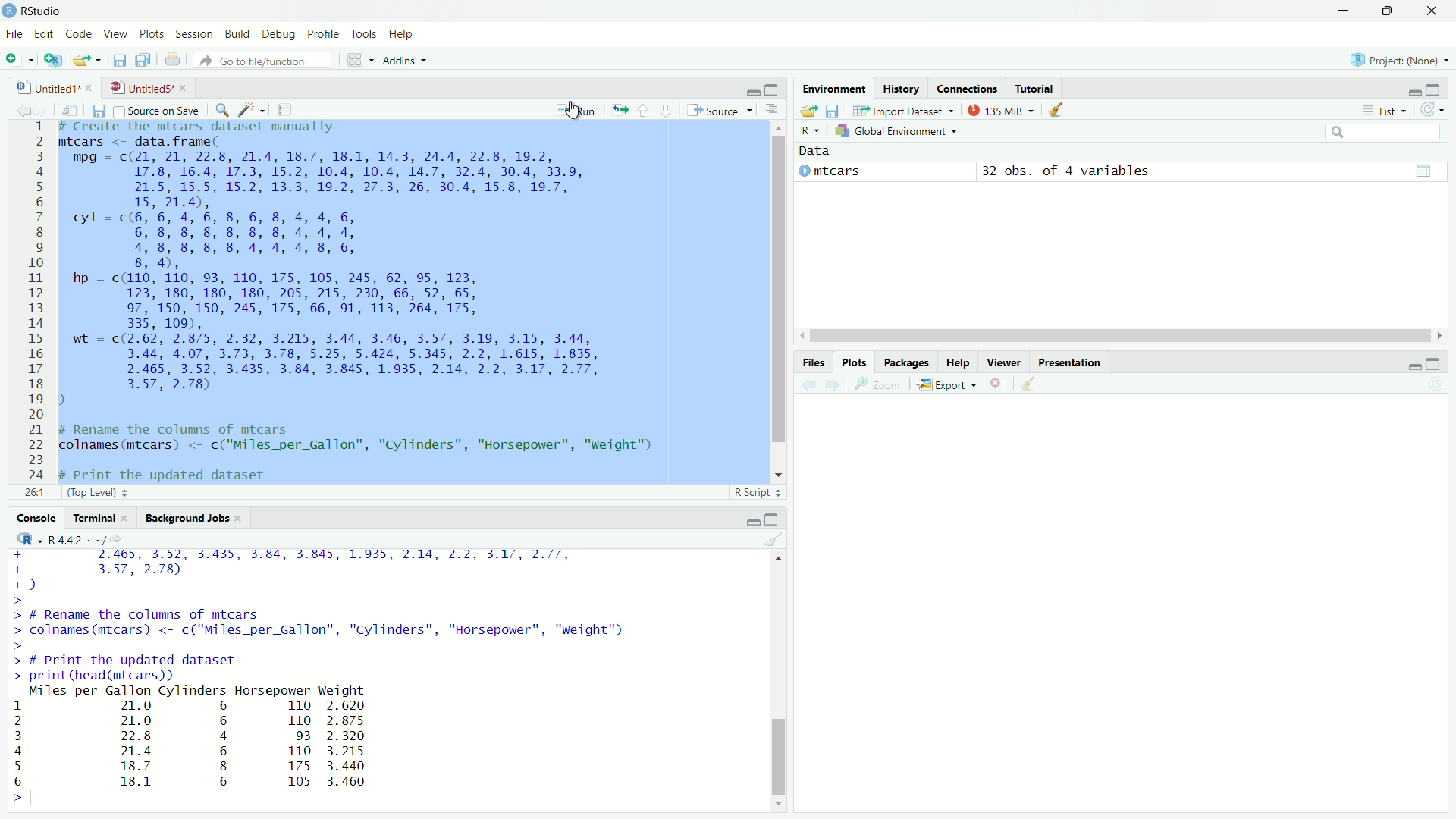  What do you see at coordinates (1407, 89) in the screenshot?
I see `minimise` at bounding box center [1407, 89].